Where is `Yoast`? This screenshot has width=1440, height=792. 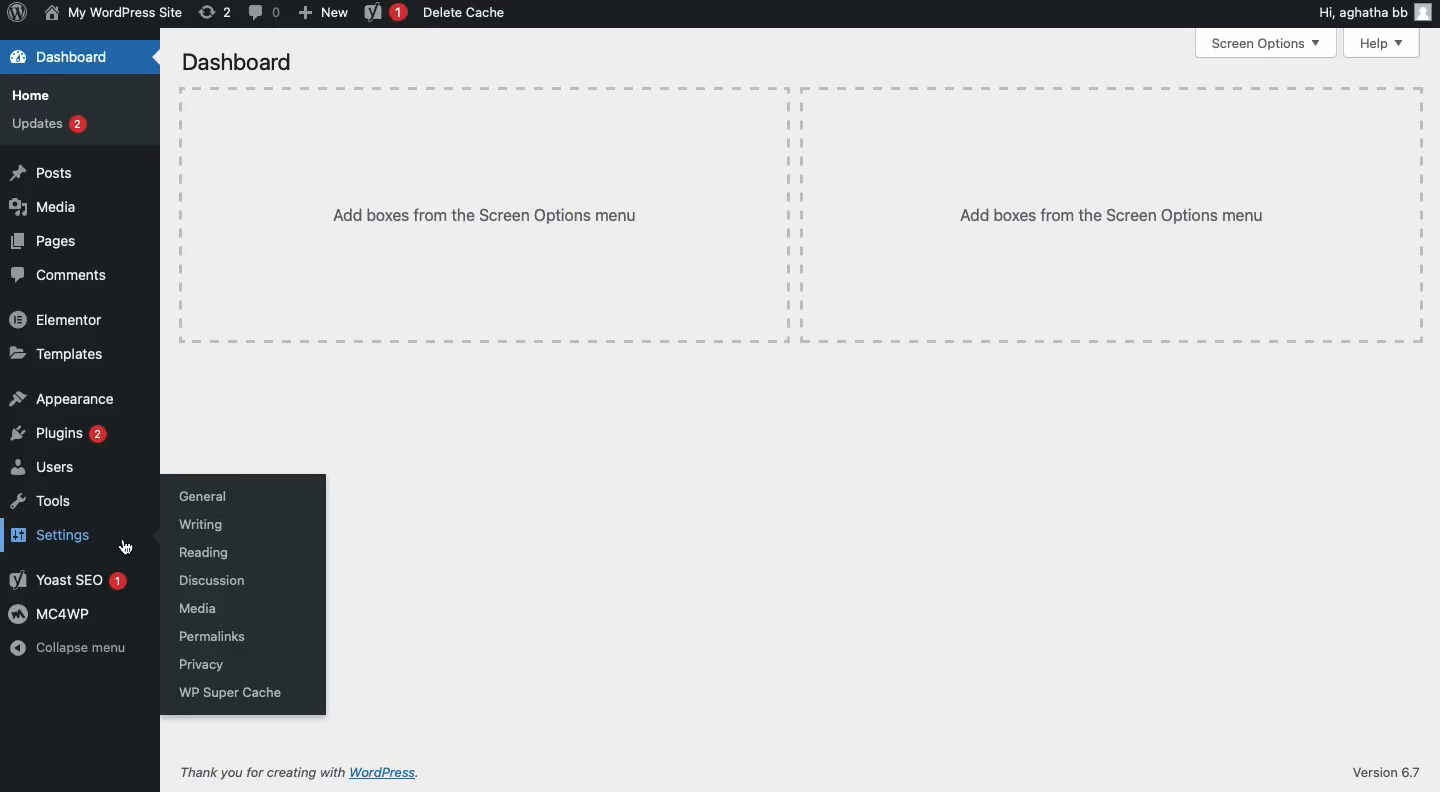 Yoast is located at coordinates (382, 14).